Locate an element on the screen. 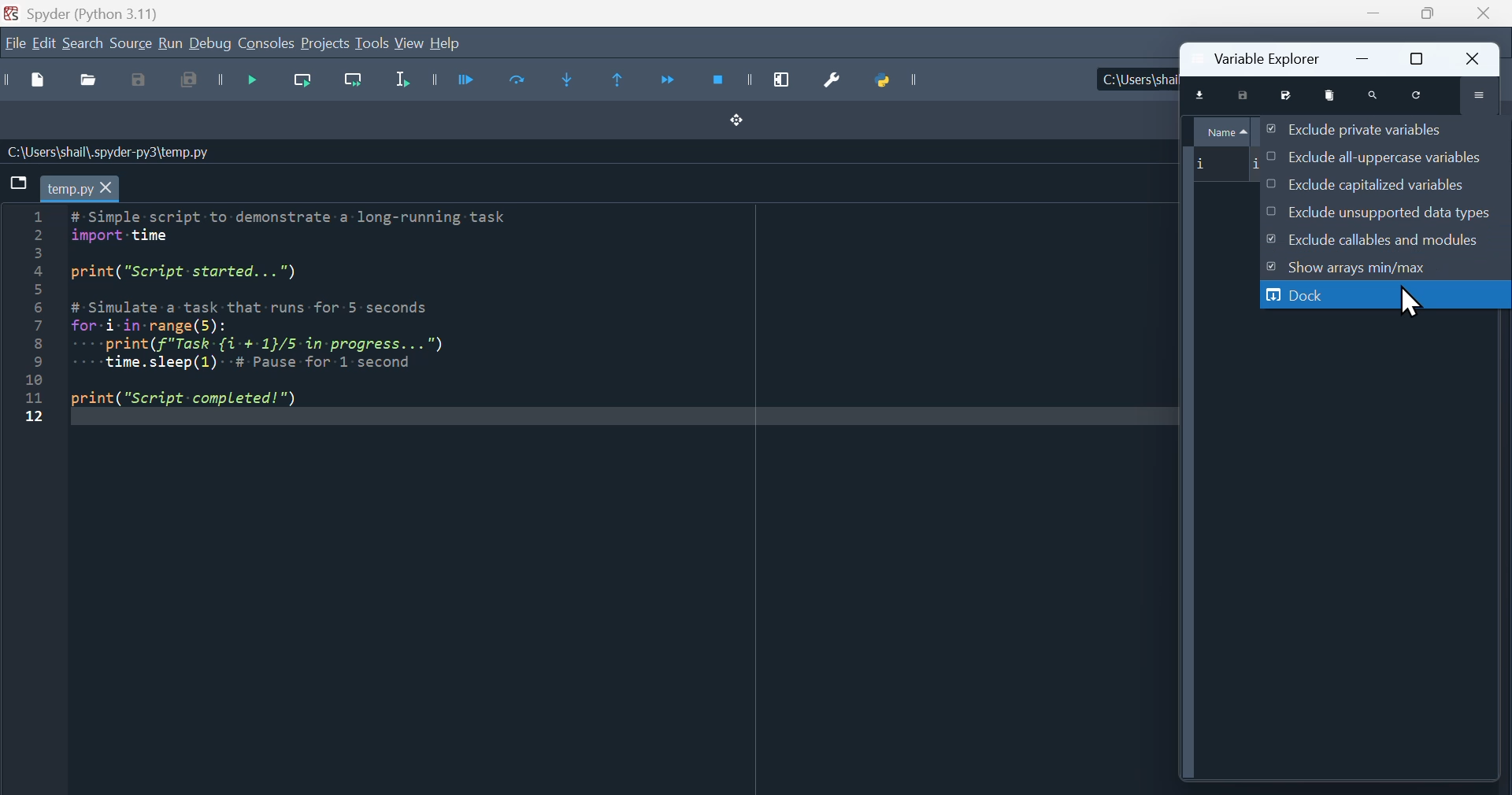  New file is located at coordinates (29, 80).